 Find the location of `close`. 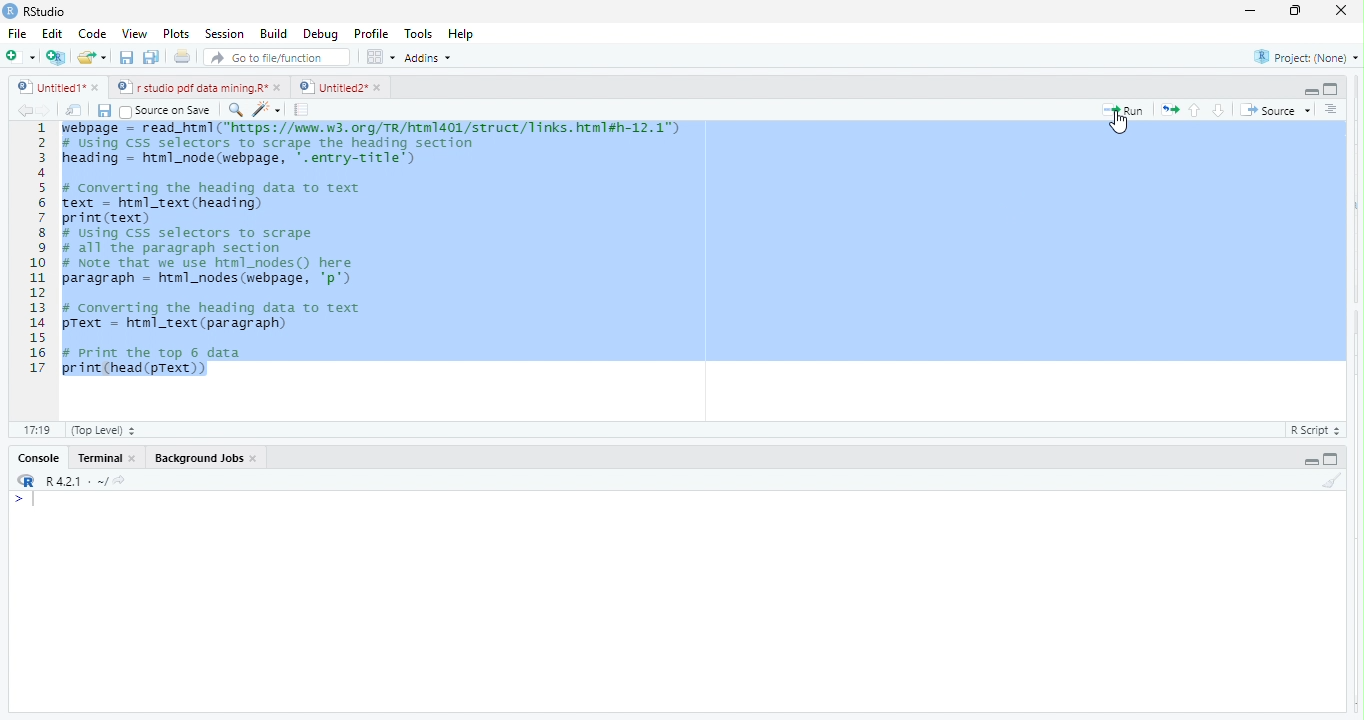

close is located at coordinates (1335, 10).